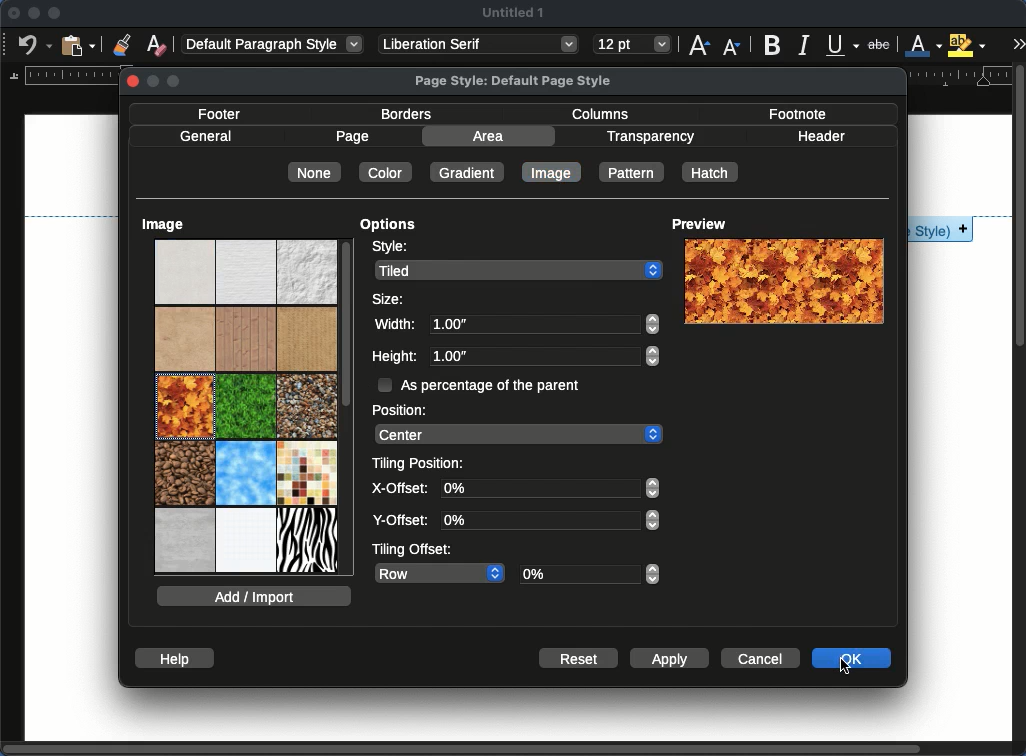 This screenshot has height=756, width=1026. Describe the element at coordinates (633, 43) in the screenshot. I see `12 pt - size` at that location.